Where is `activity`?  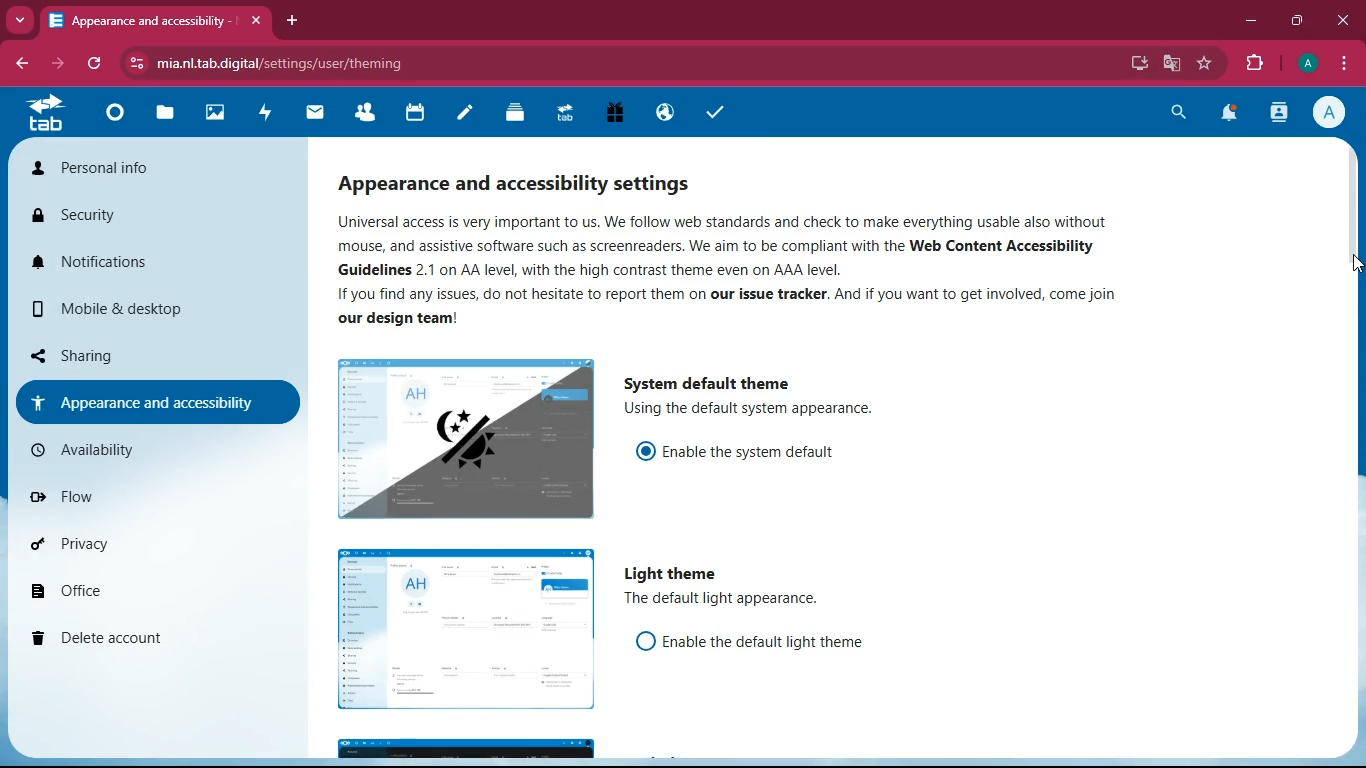
activity is located at coordinates (260, 114).